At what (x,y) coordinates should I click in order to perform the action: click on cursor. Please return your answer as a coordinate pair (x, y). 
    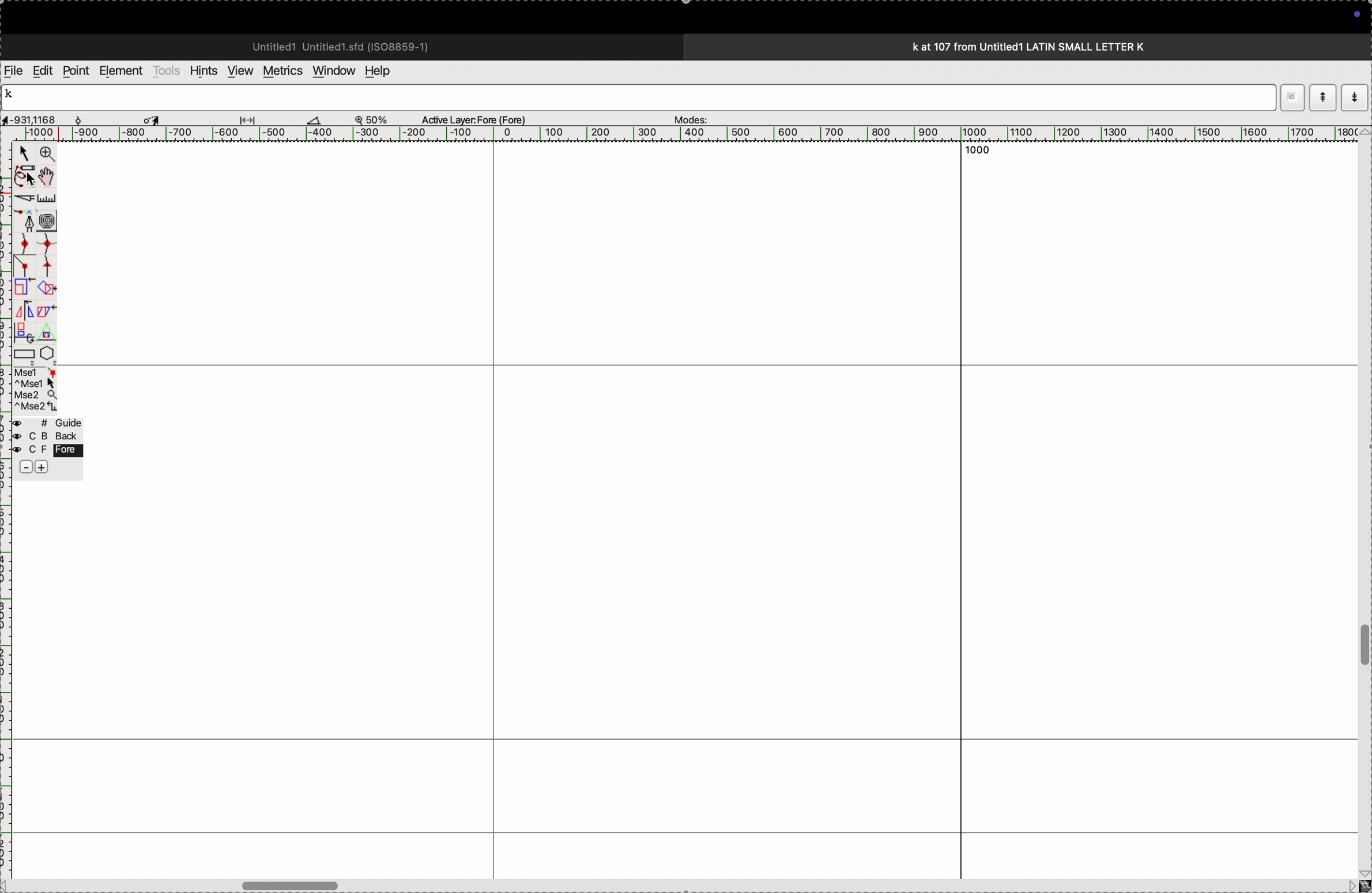
    Looking at the image, I should click on (154, 118).